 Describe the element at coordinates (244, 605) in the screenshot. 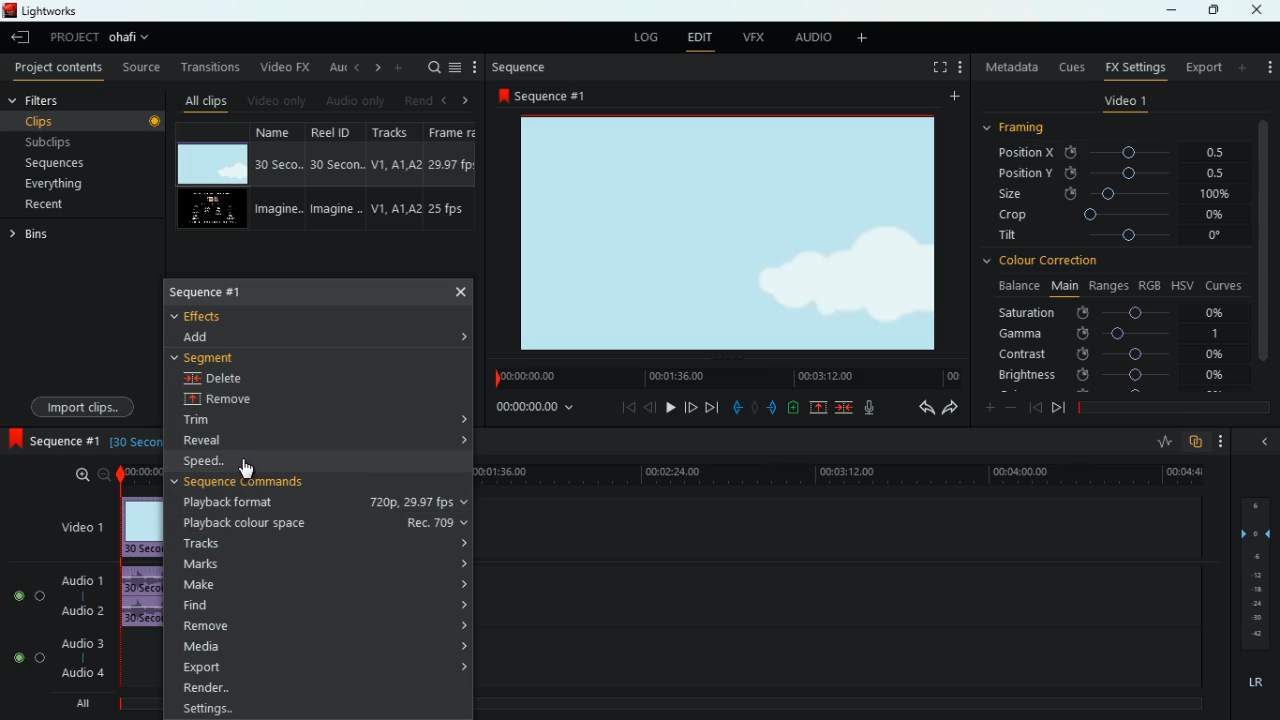

I see `find` at that location.